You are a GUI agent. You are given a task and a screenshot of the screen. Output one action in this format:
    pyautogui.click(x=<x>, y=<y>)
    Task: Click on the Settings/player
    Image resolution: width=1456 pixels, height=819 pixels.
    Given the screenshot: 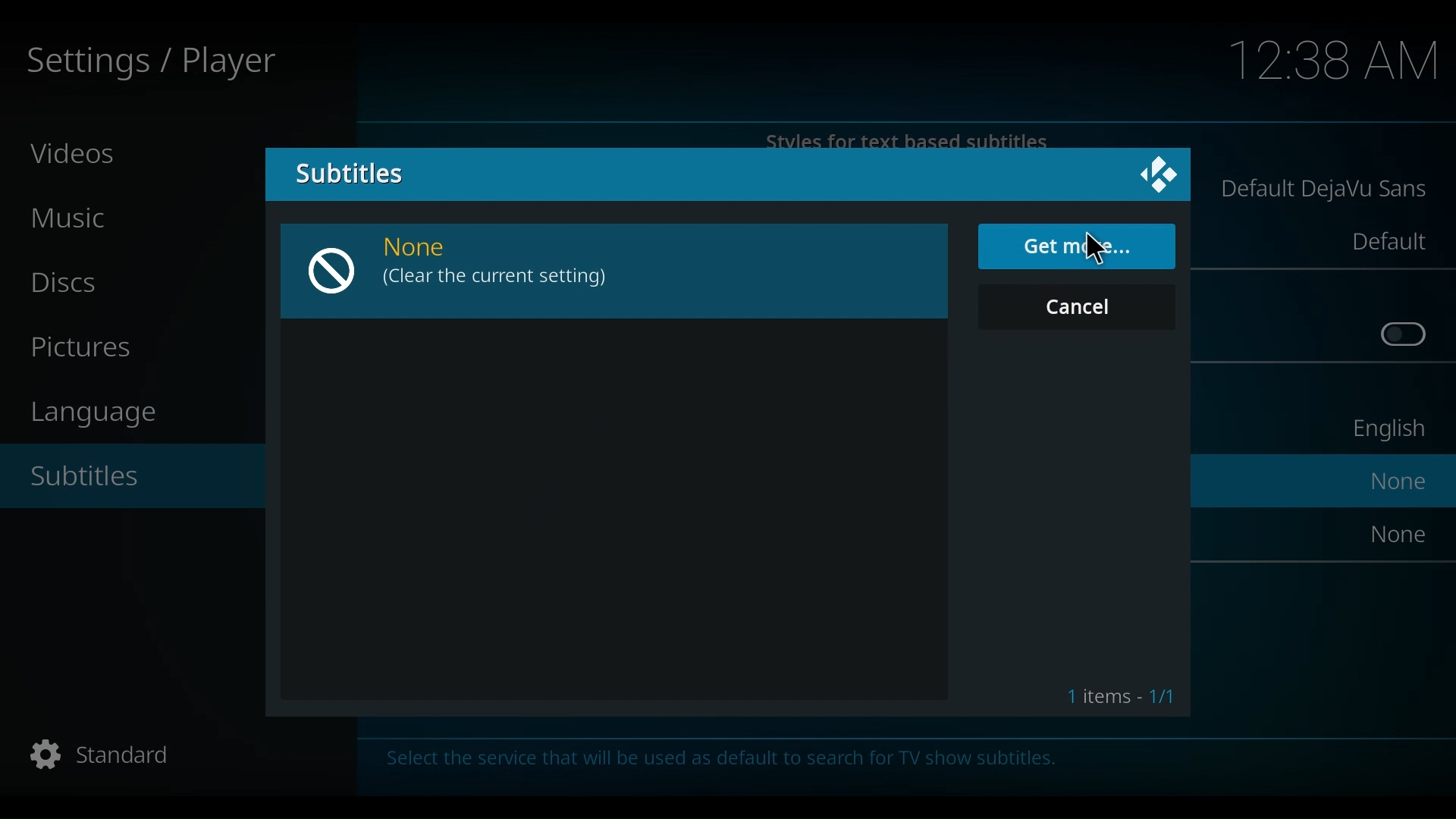 What is the action you would take?
    pyautogui.click(x=149, y=63)
    